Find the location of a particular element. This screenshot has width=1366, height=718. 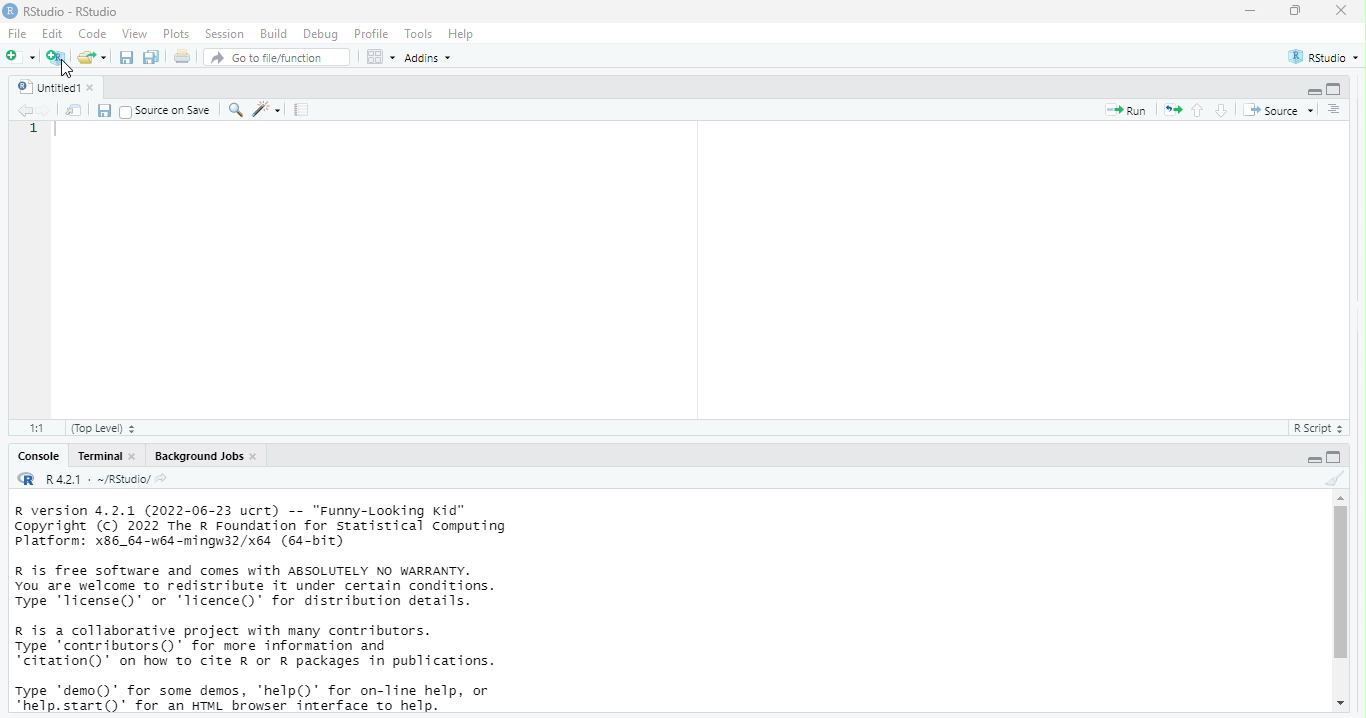

view is located at coordinates (133, 34).